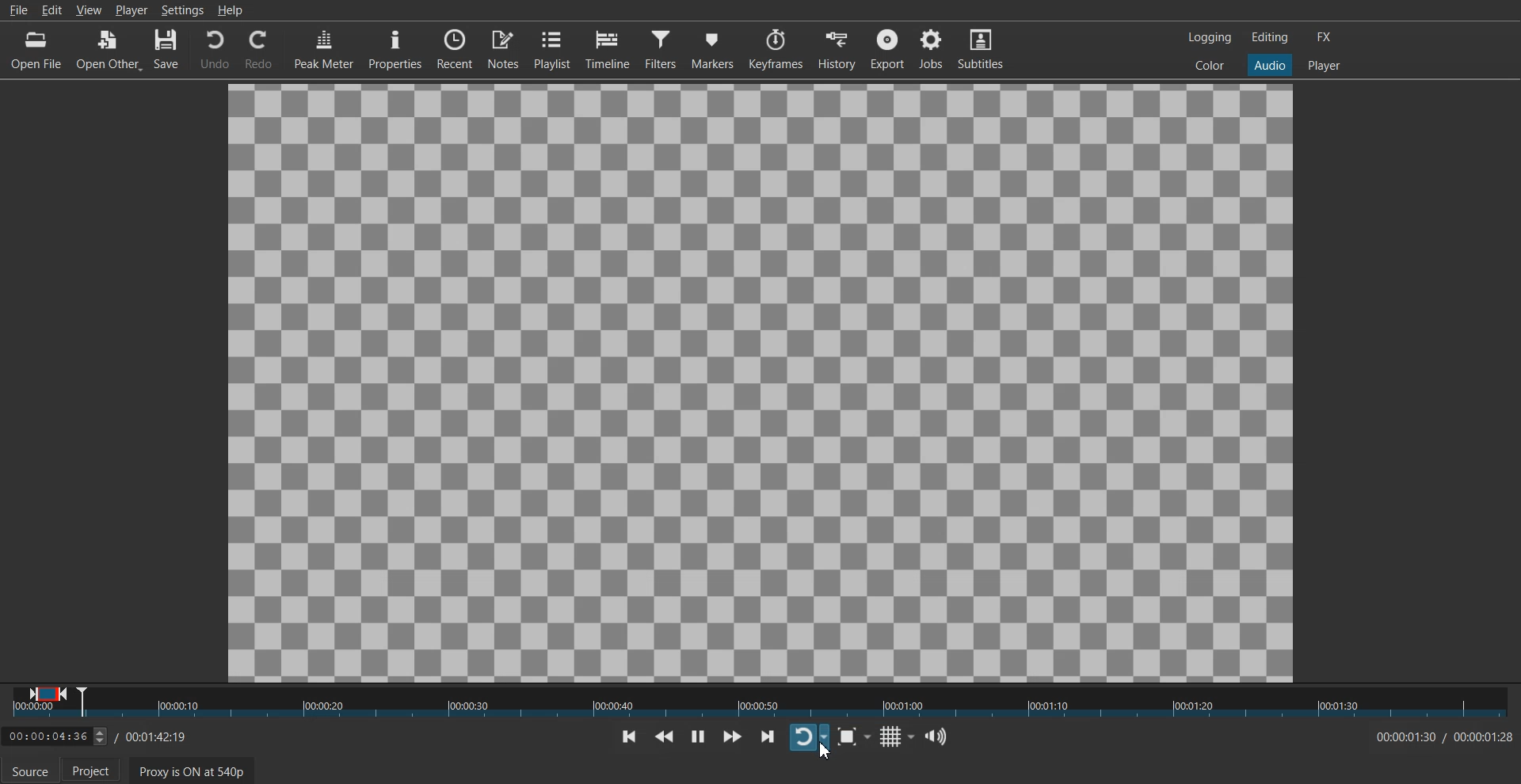  What do you see at coordinates (259, 49) in the screenshot?
I see `Redo` at bounding box center [259, 49].